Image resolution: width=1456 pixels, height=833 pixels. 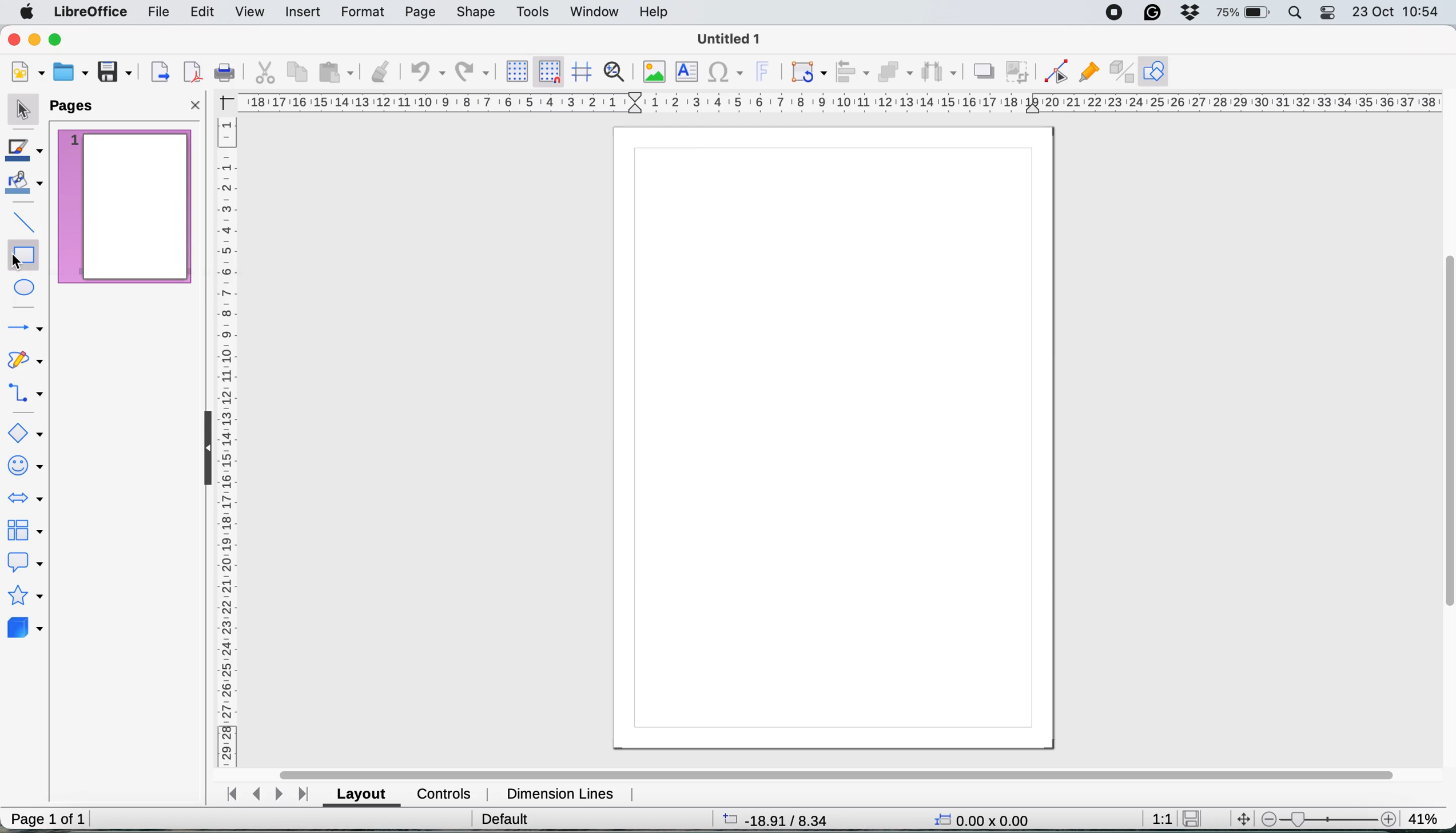 What do you see at coordinates (55, 37) in the screenshot?
I see `maximise` at bounding box center [55, 37].